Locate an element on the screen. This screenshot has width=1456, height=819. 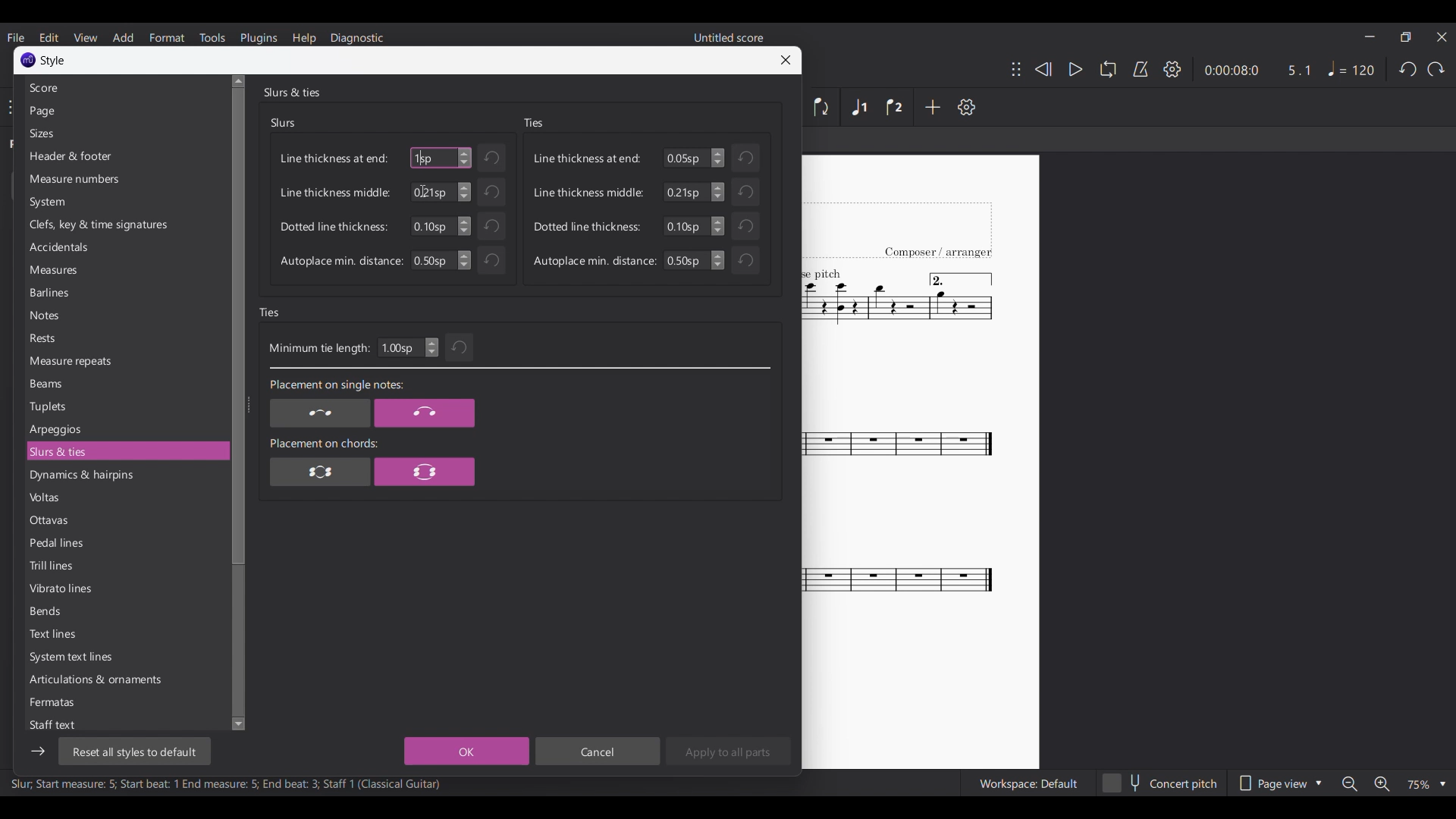
Software logo is located at coordinates (28, 60).